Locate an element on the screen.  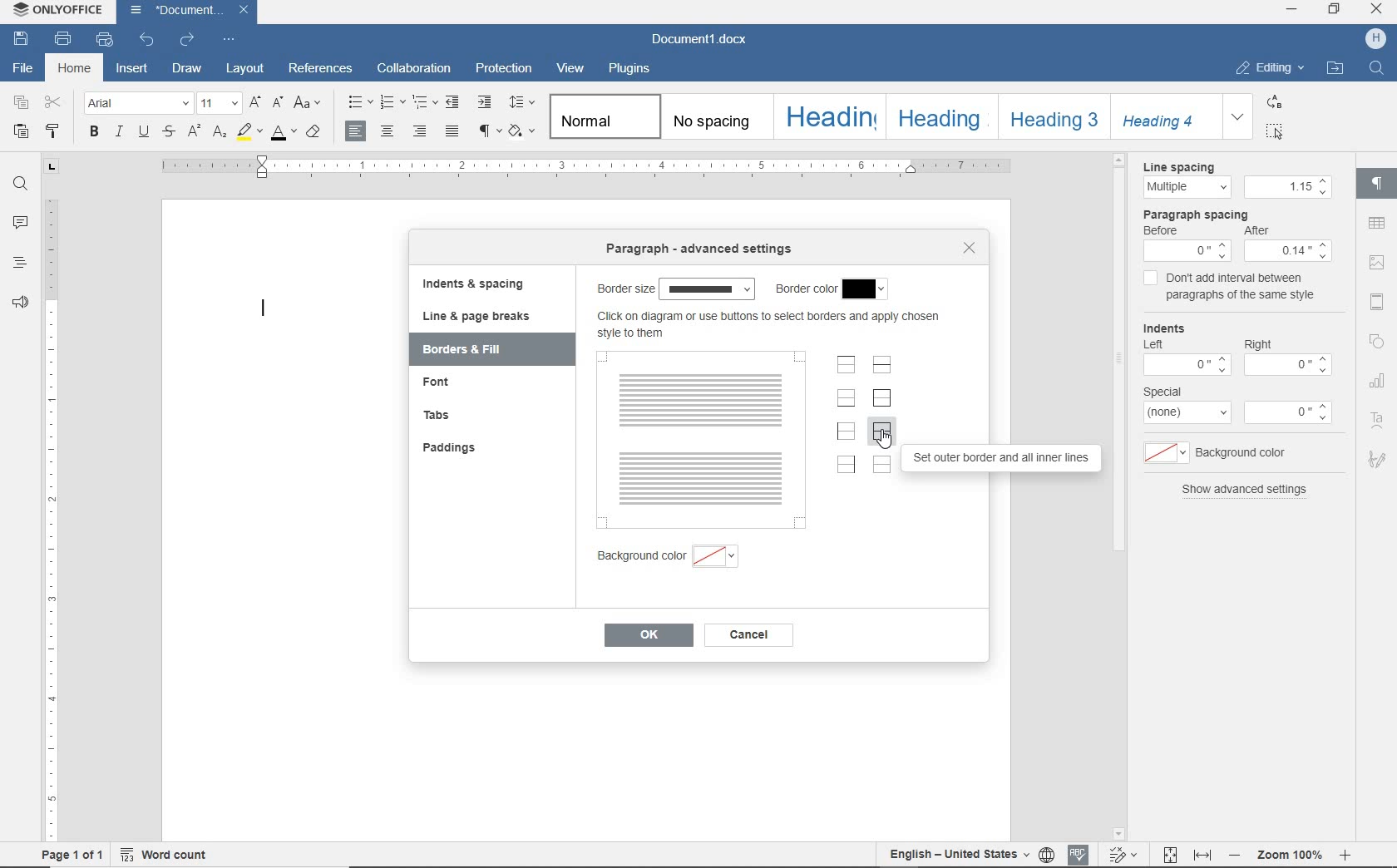
plugins is located at coordinates (636, 69).